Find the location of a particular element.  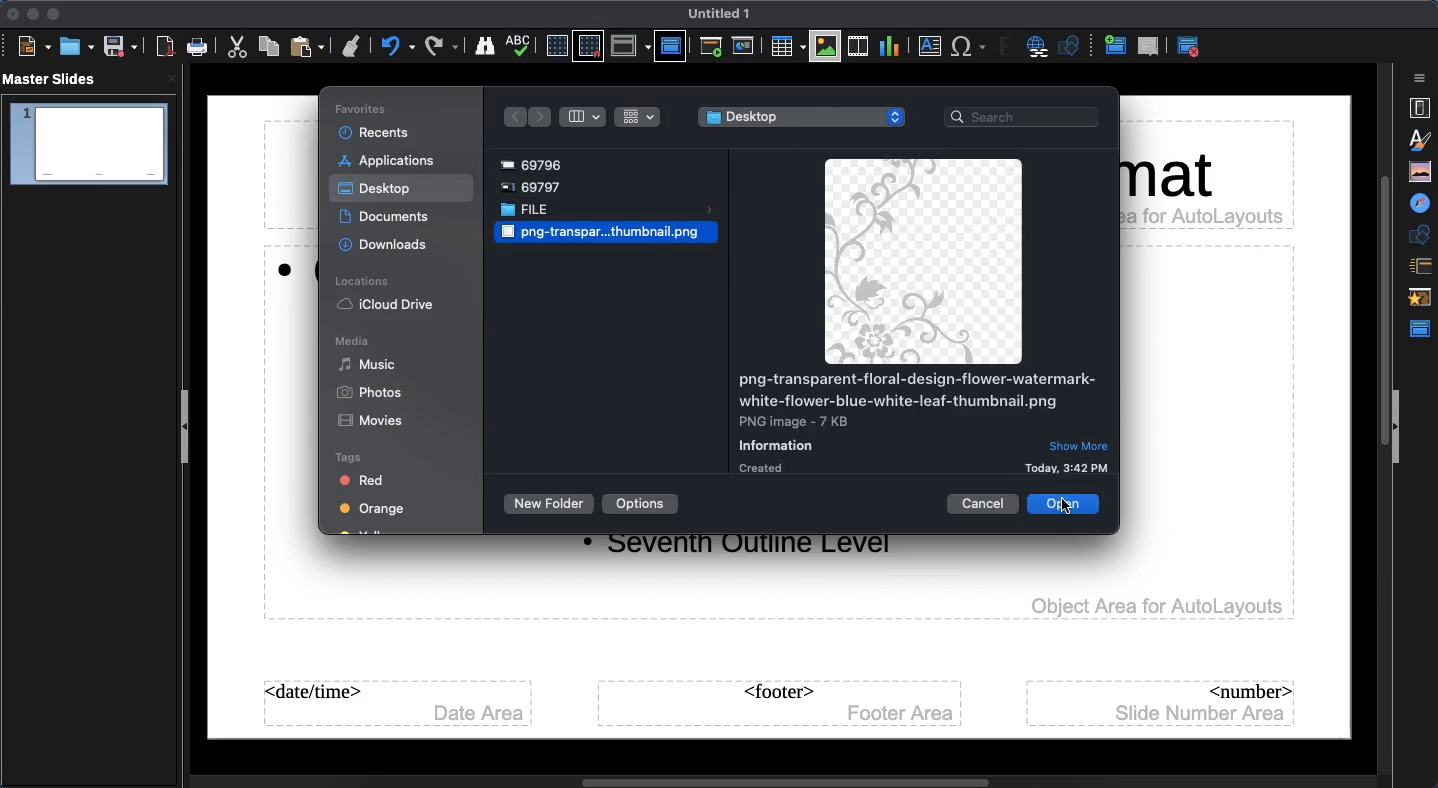

Shapes is located at coordinates (1072, 48).